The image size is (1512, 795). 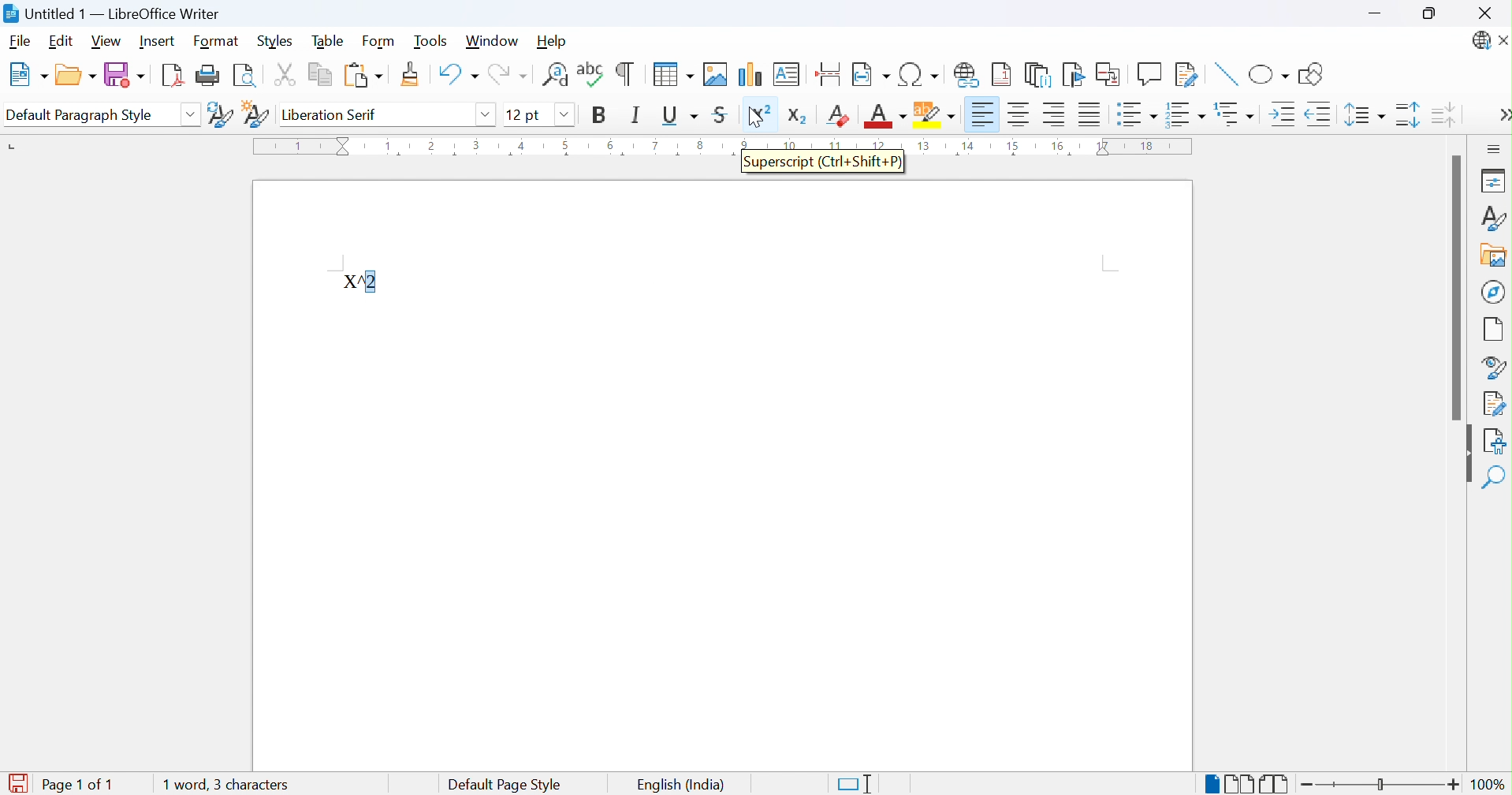 What do you see at coordinates (1483, 41) in the screenshot?
I see `LibreOffice update available` at bounding box center [1483, 41].